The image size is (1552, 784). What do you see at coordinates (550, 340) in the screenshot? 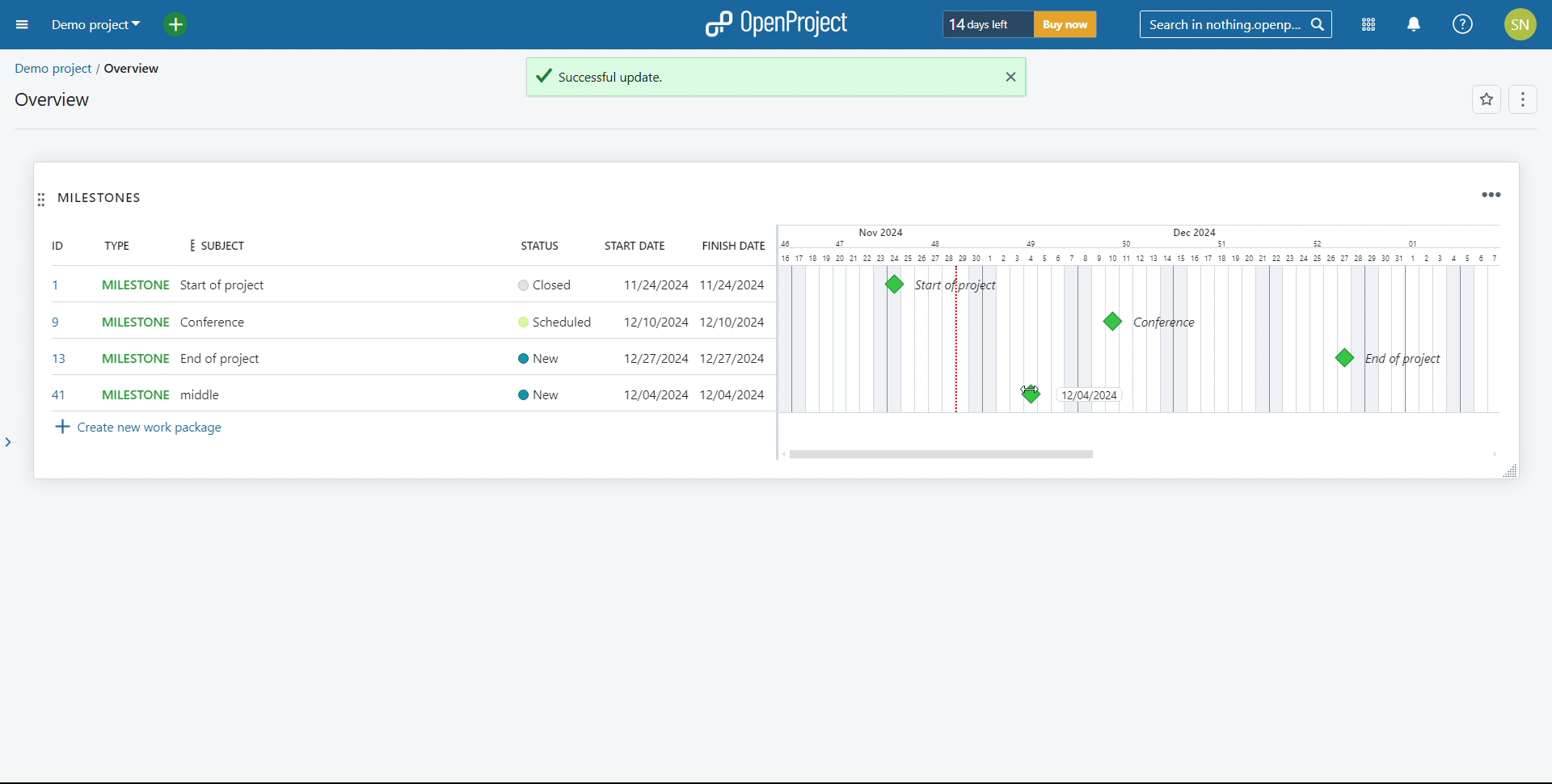
I see `set status` at bounding box center [550, 340].